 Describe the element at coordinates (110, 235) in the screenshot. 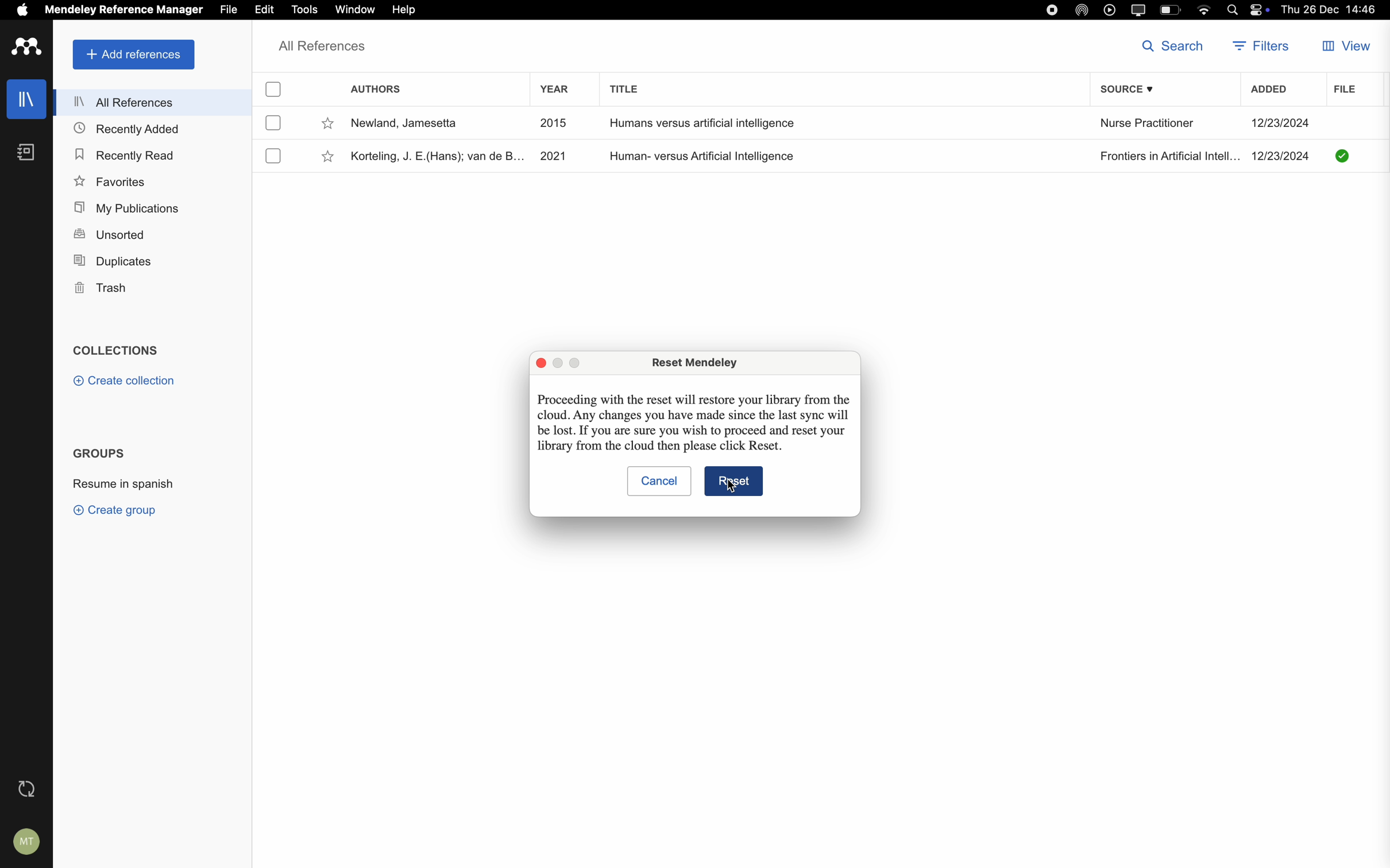

I see `unsorted` at that location.